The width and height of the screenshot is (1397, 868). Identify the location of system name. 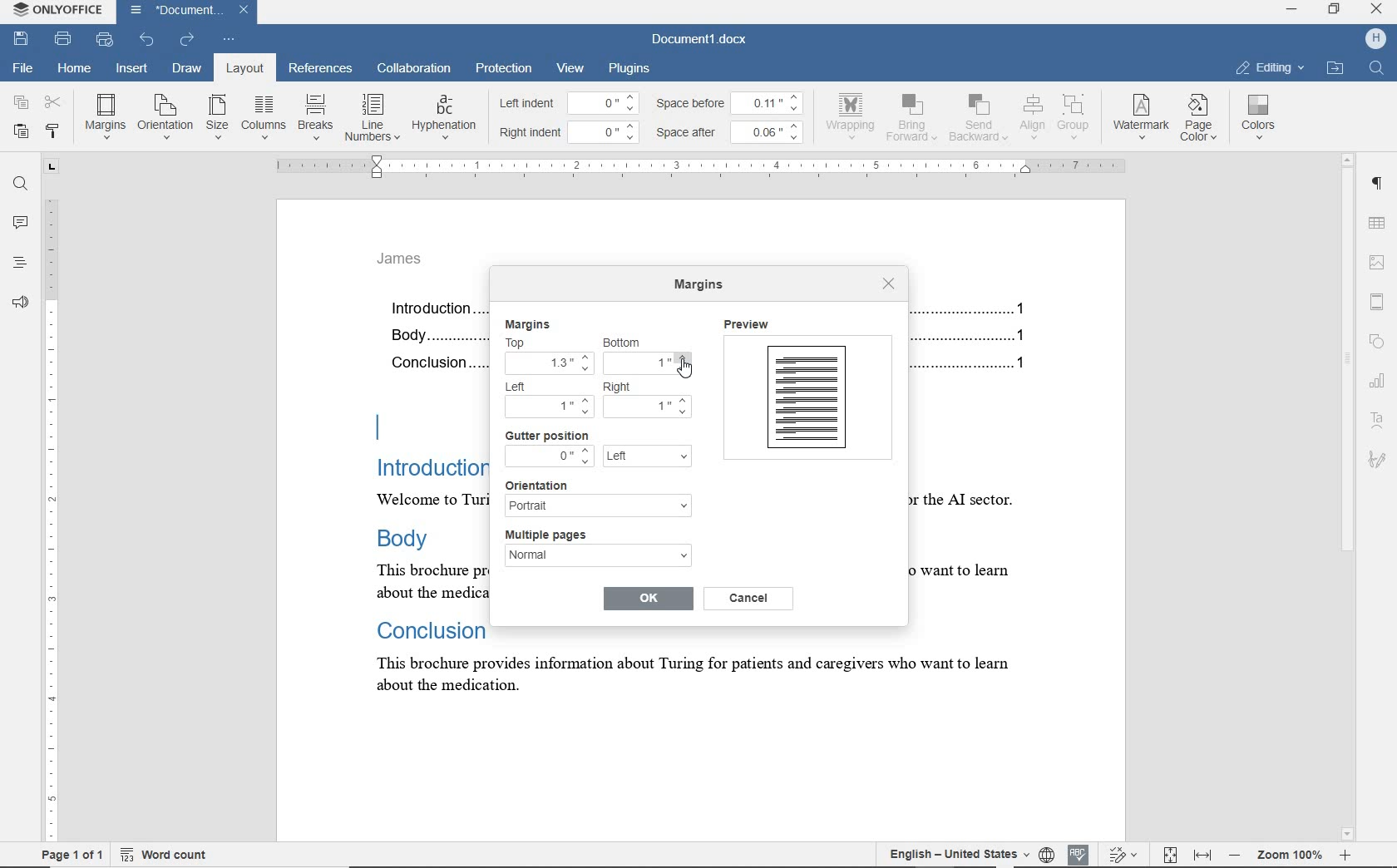
(60, 12).